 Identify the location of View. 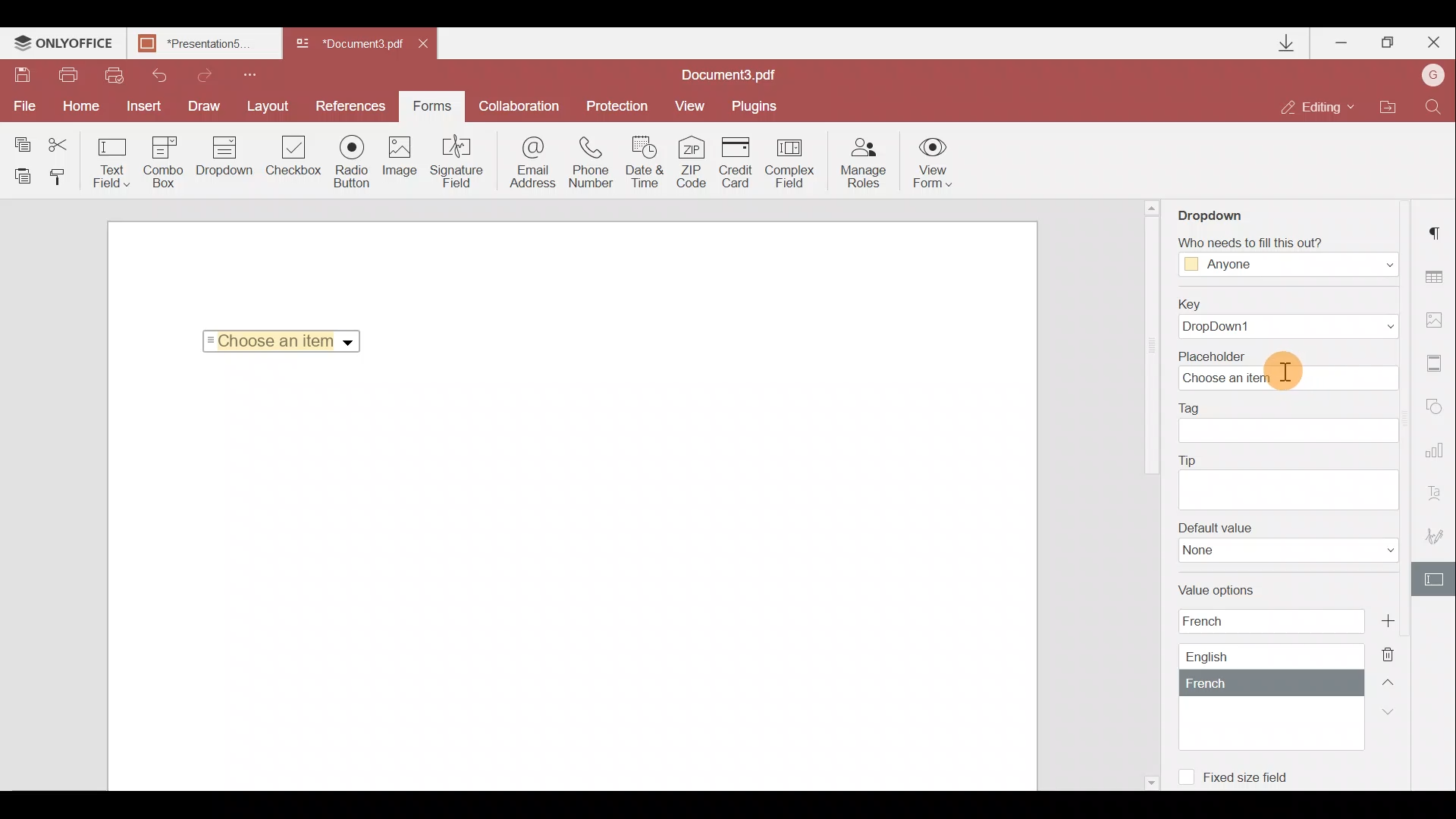
(690, 105).